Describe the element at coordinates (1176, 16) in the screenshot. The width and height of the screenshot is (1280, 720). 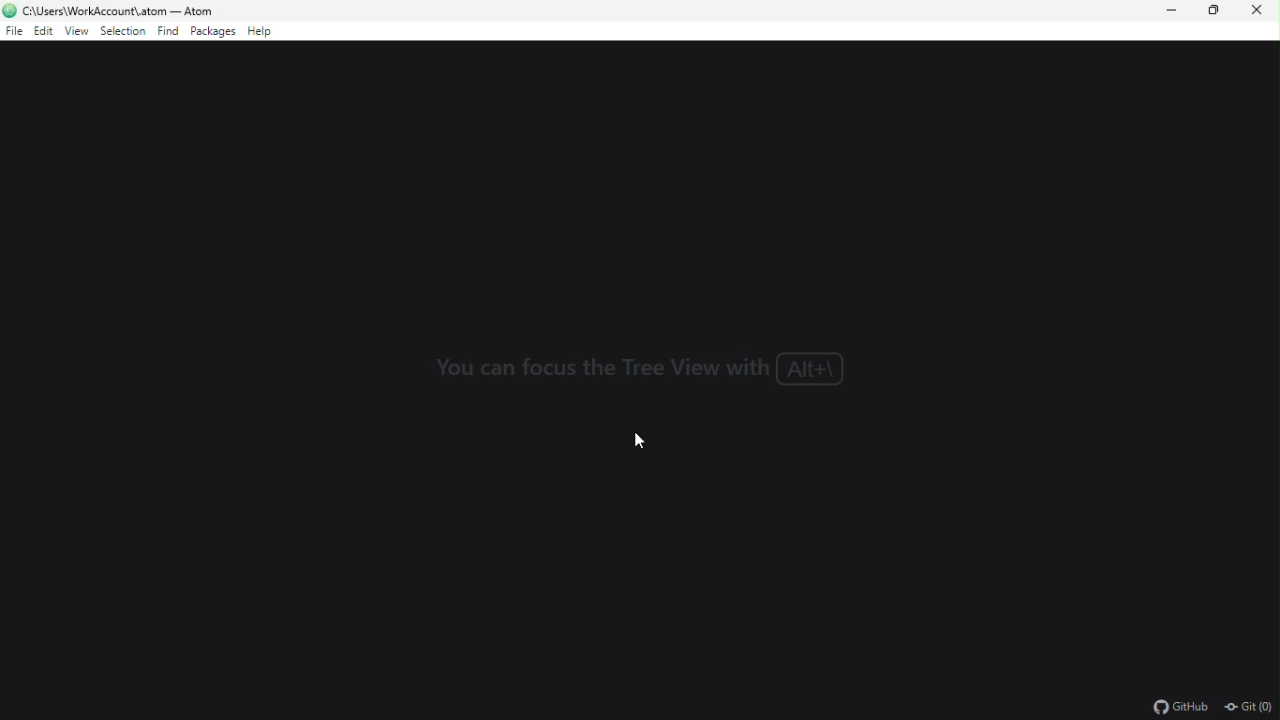
I see `minimize` at that location.